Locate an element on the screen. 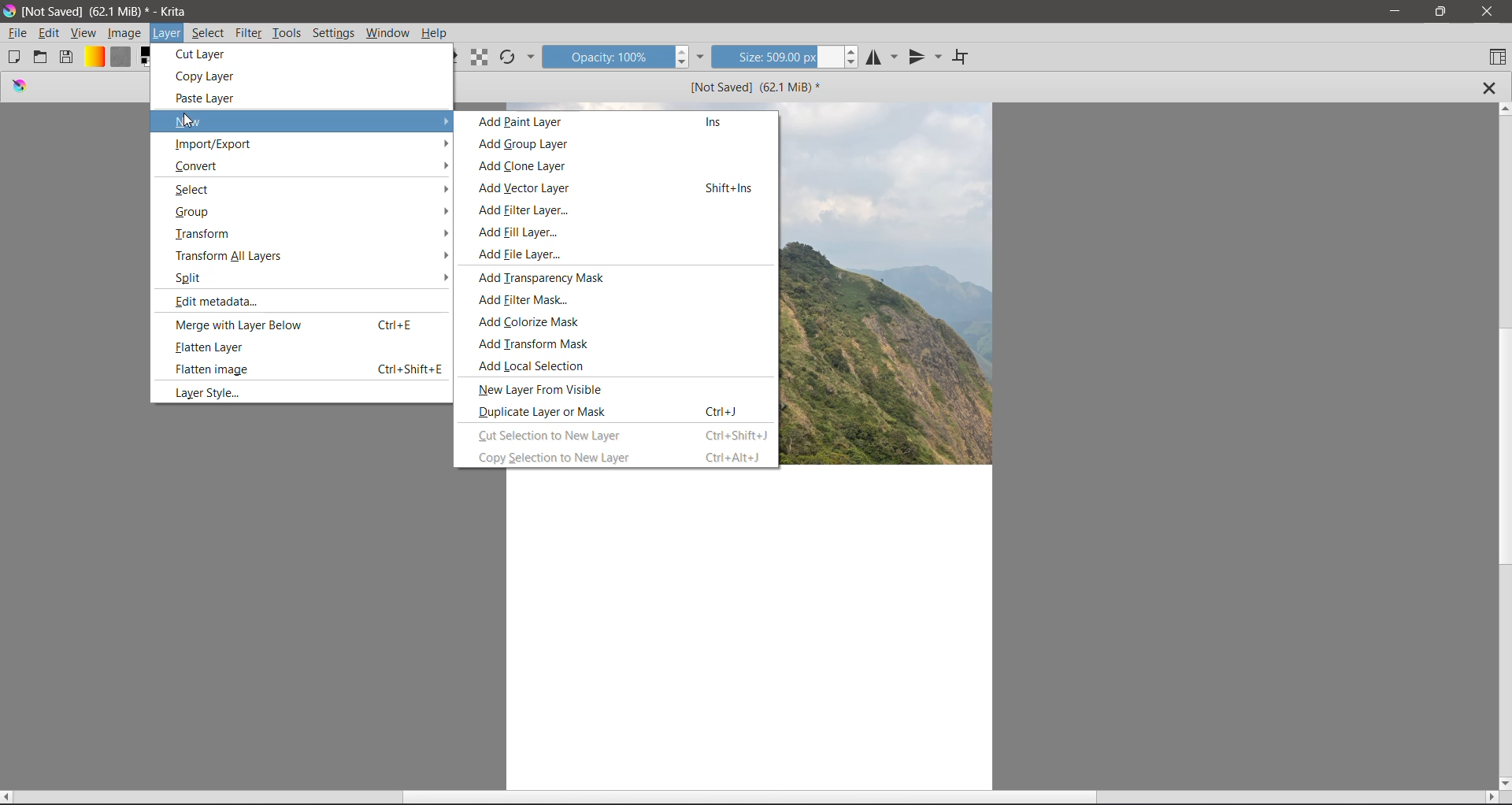 Image resolution: width=1512 pixels, height=805 pixels. Add Vector Layer is located at coordinates (621, 187).